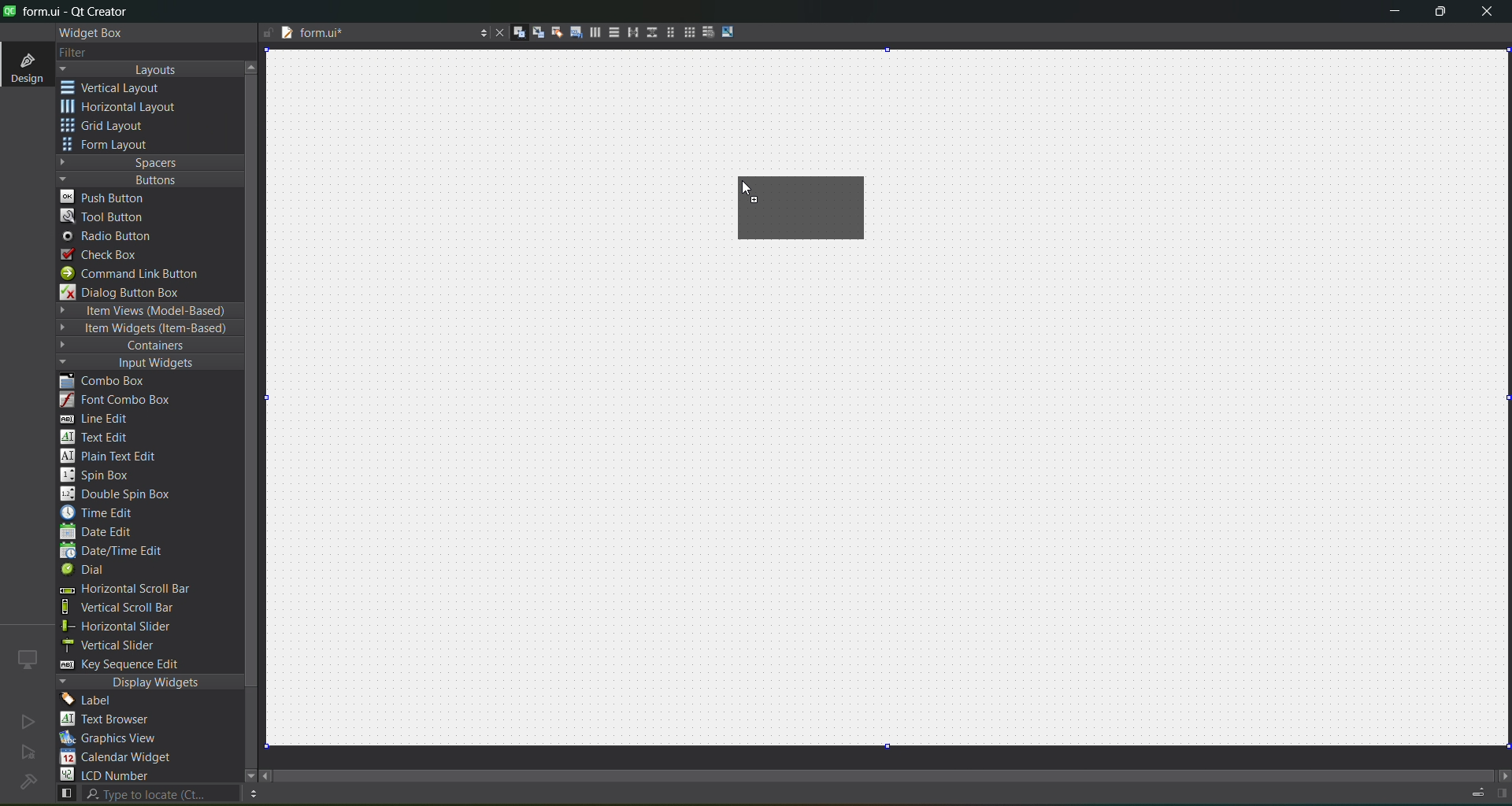 This screenshot has width=1512, height=806. What do you see at coordinates (100, 533) in the screenshot?
I see `date edit` at bounding box center [100, 533].